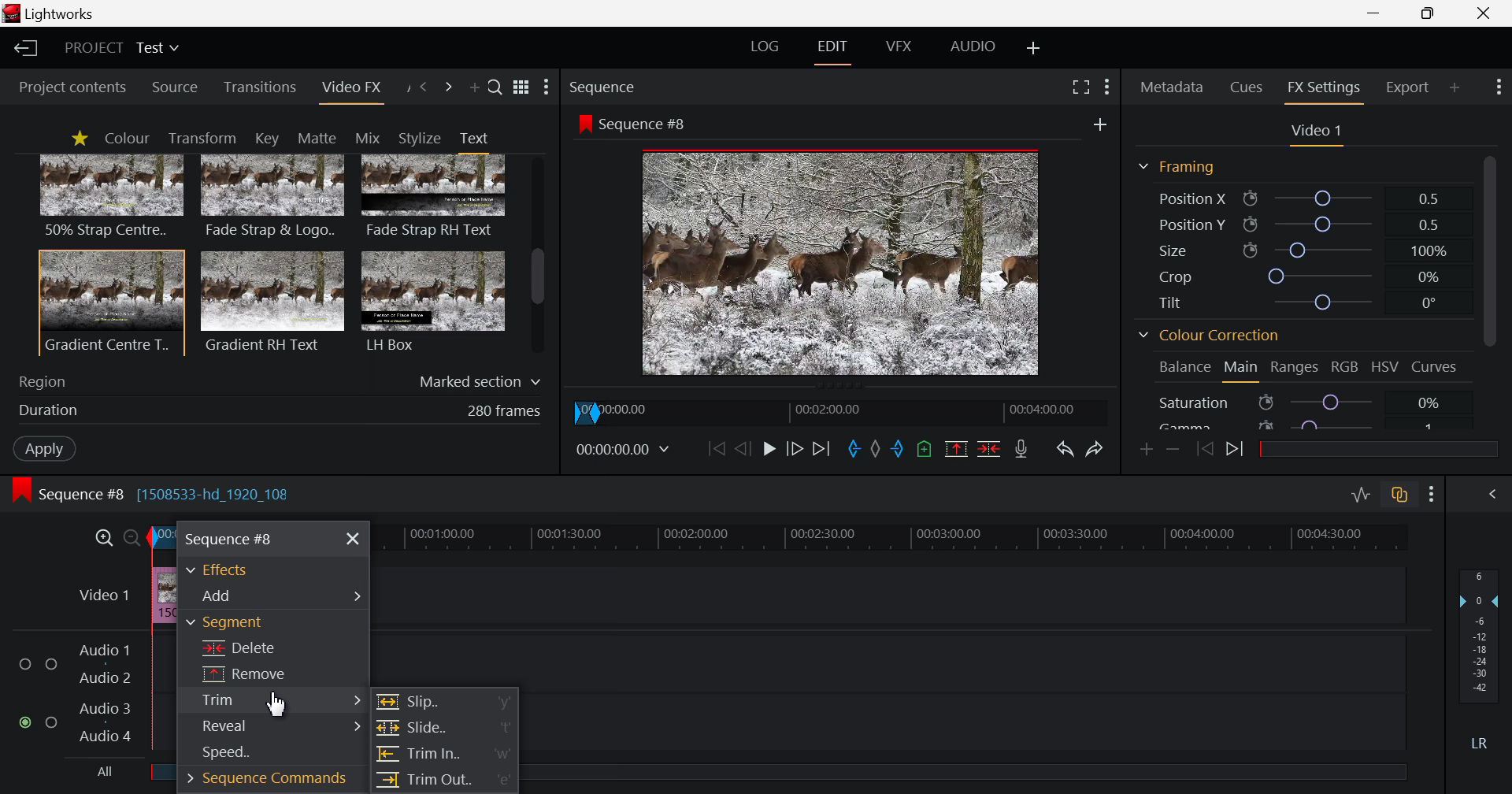 The height and width of the screenshot is (794, 1512). What do you see at coordinates (843, 266) in the screenshot?
I see `Sequence Preview` at bounding box center [843, 266].